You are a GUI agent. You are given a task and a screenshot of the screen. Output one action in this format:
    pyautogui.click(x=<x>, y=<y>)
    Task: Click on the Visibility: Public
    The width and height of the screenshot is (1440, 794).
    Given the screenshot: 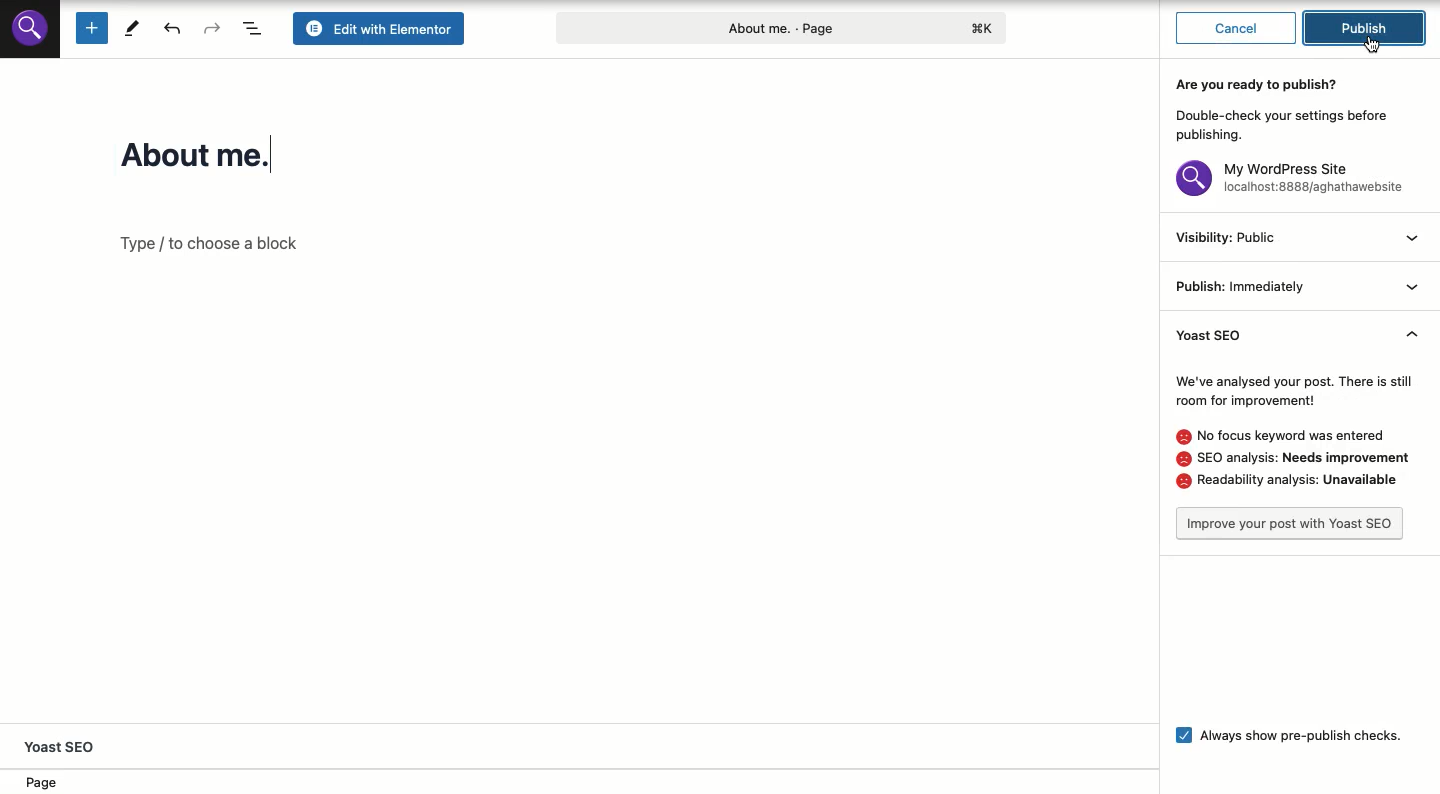 What is the action you would take?
    pyautogui.click(x=1226, y=238)
    